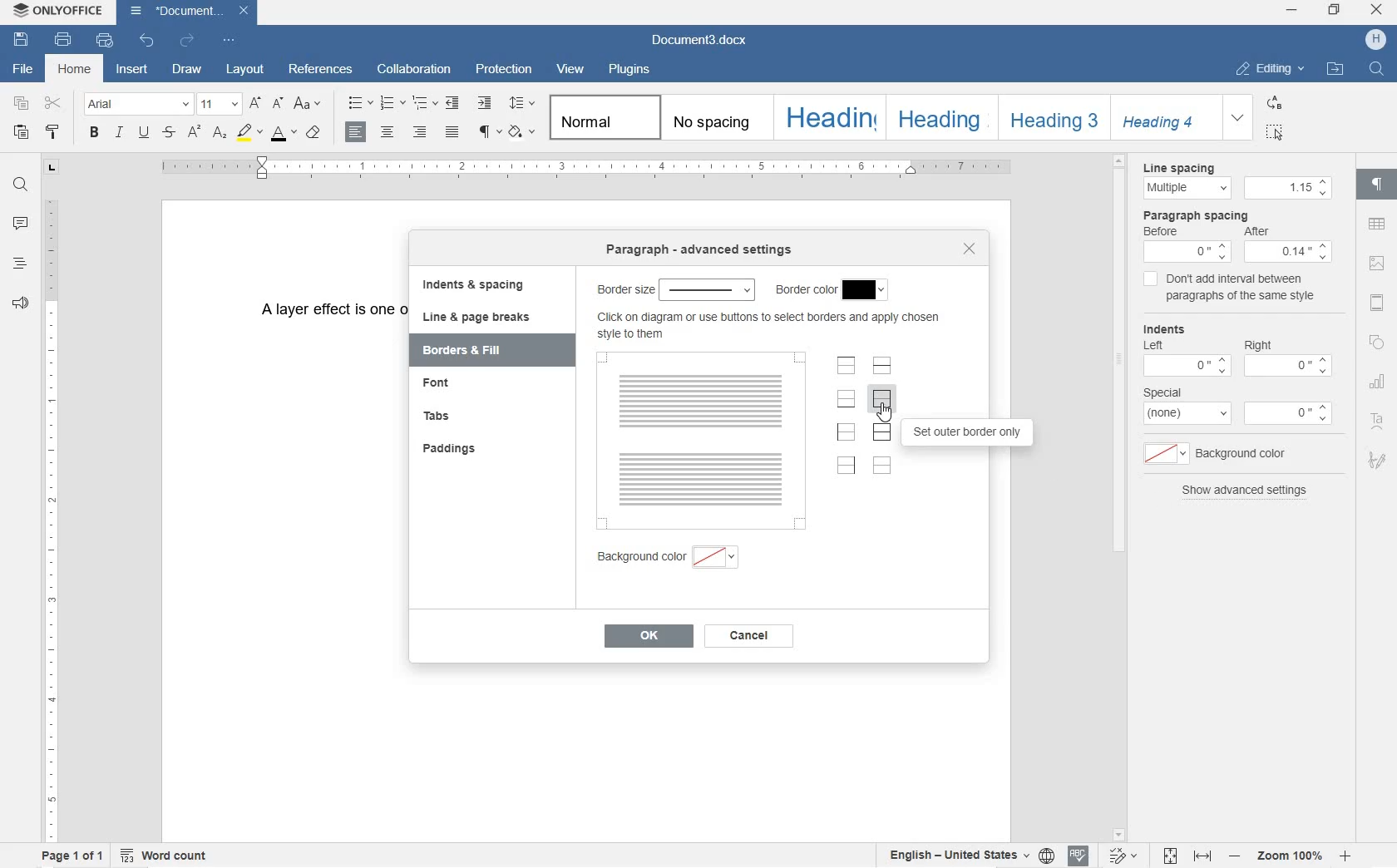 The image size is (1397, 868). What do you see at coordinates (250, 133) in the screenshot?
I see `HIGHLIGHT COLOR` at bounding box center [250, 133].